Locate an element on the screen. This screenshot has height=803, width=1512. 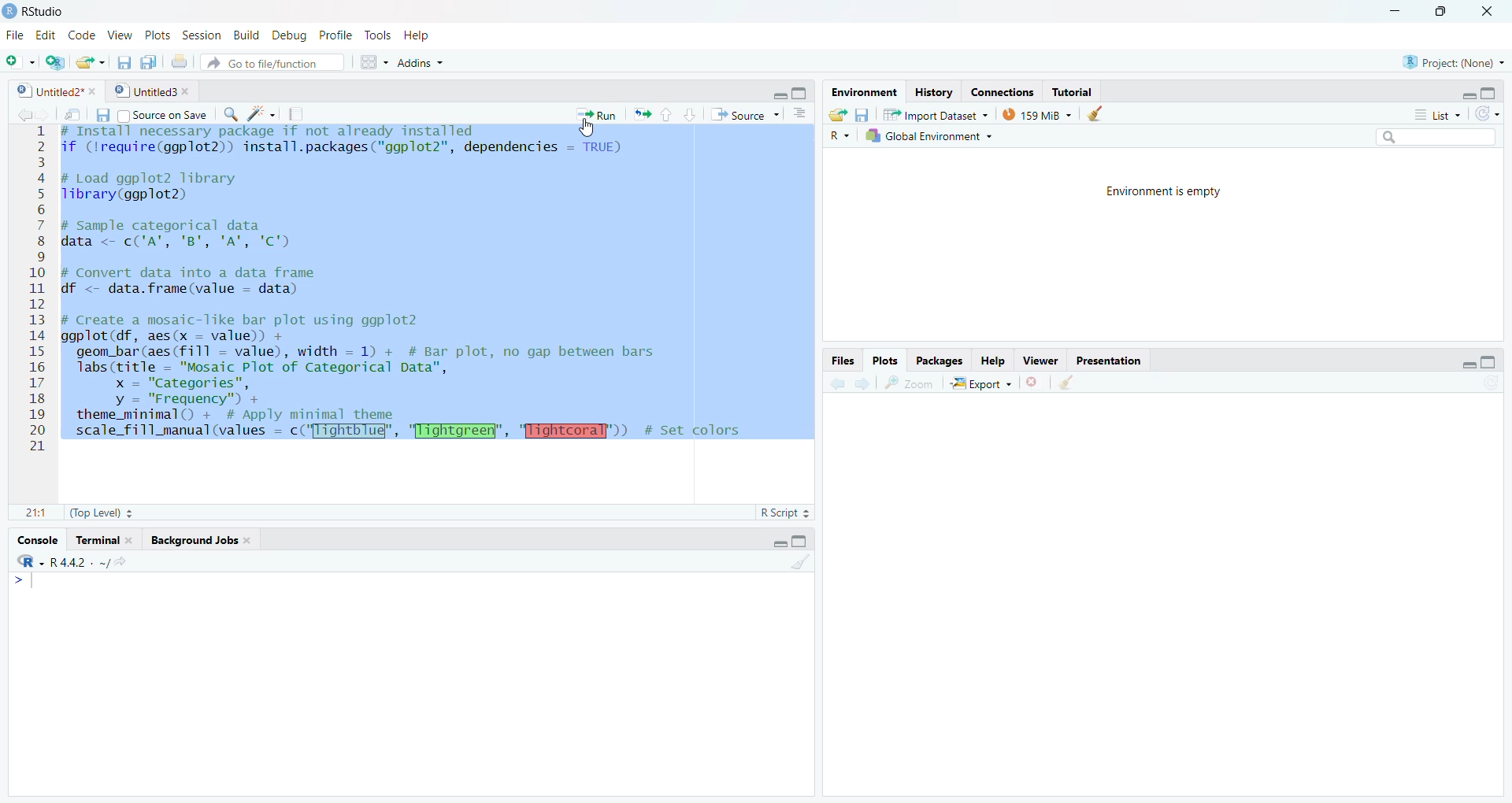
Background Jobs is located at coordinates (200, 541).